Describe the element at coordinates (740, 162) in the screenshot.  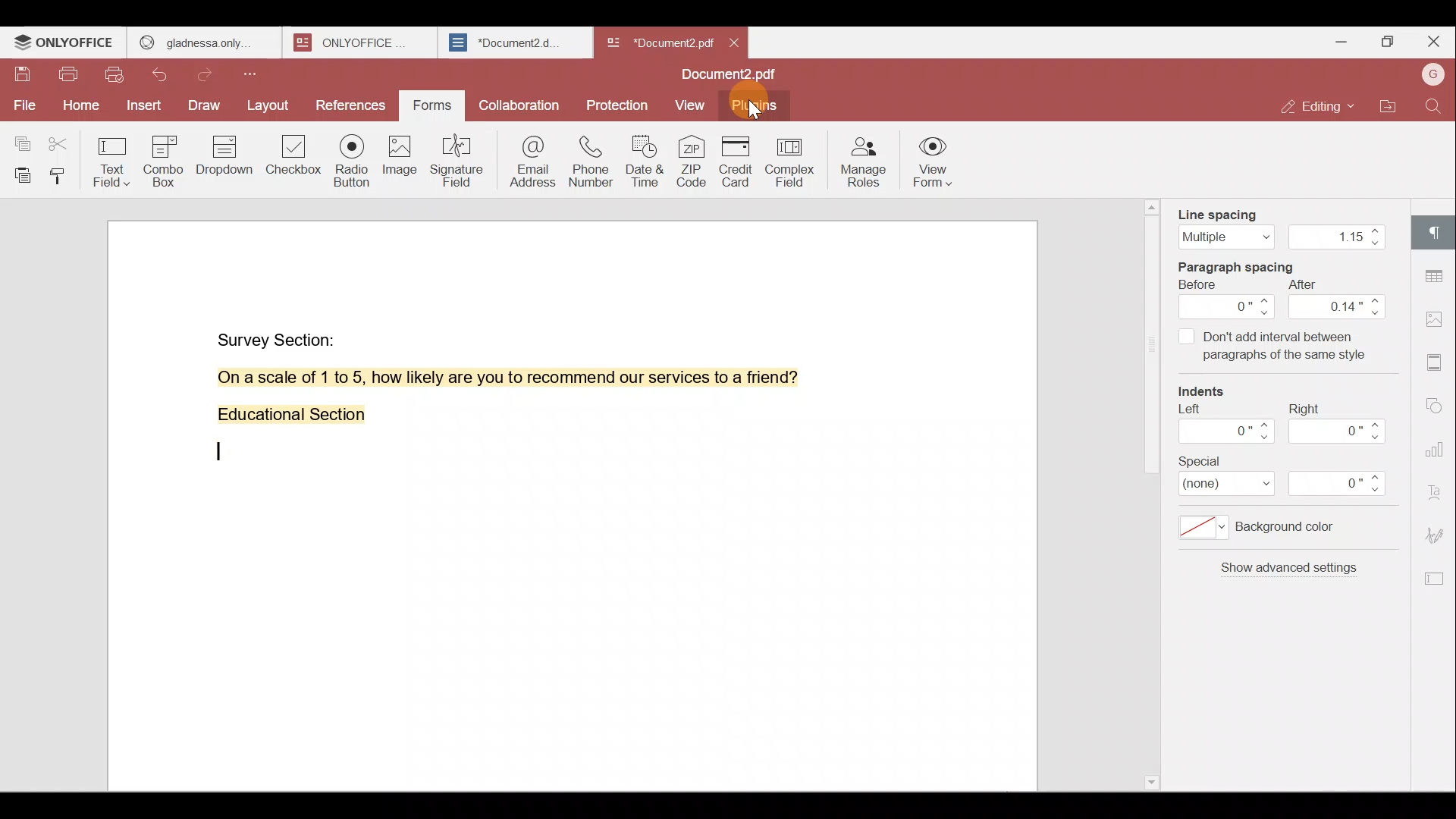
I see `Credit card` at that location.